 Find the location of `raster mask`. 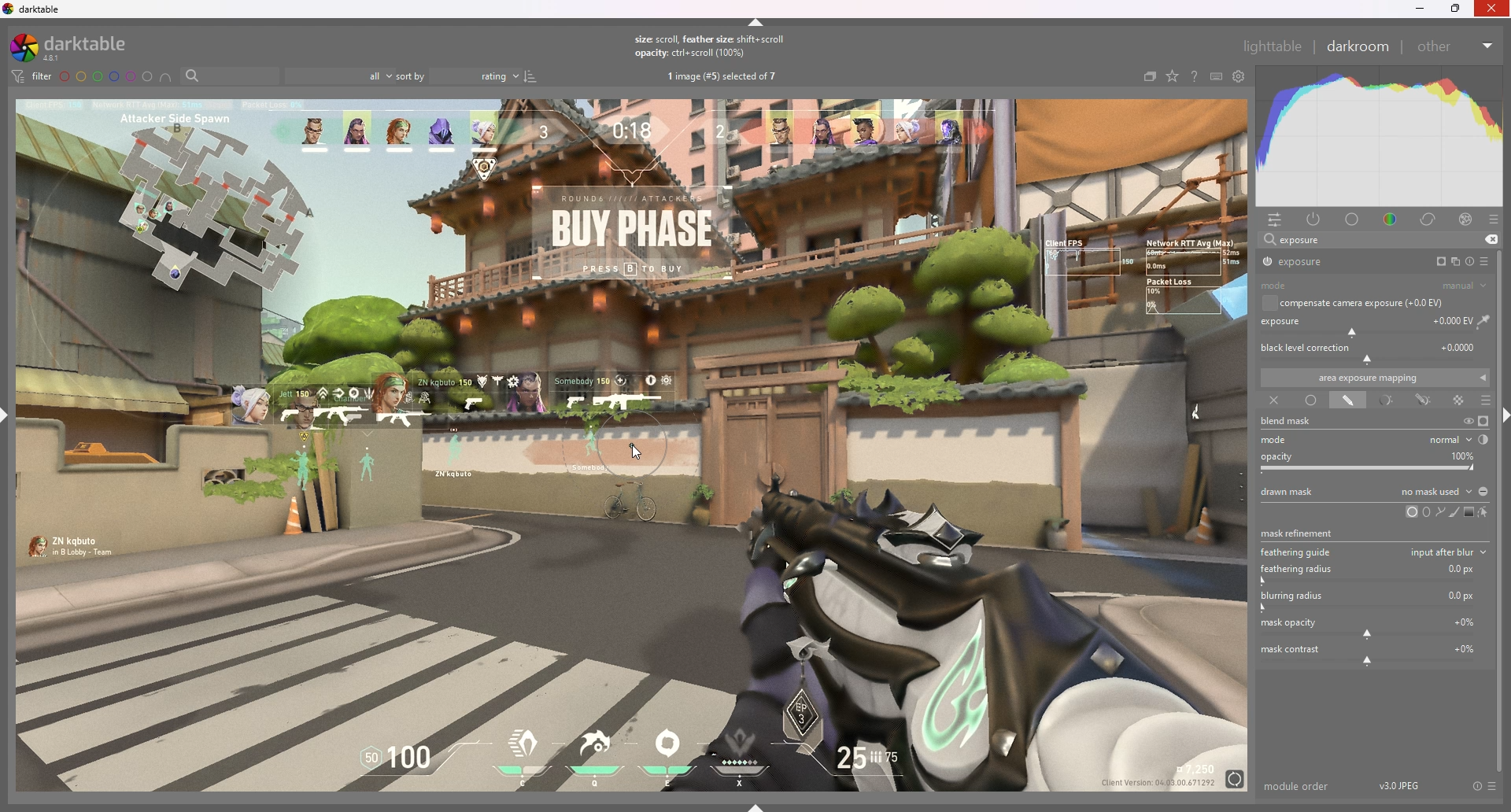

raster mask is located at coordinates (1459, 400).